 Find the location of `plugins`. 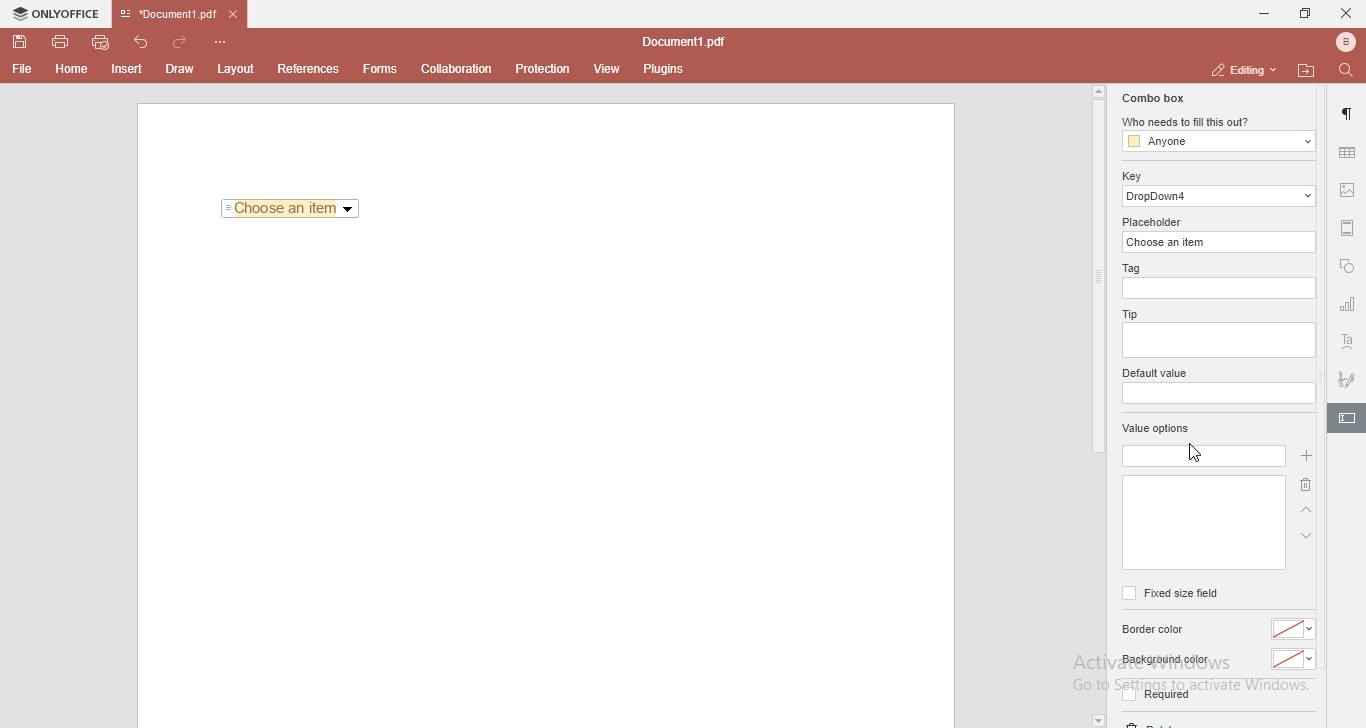

plugins is located at coordinates (664, 70).